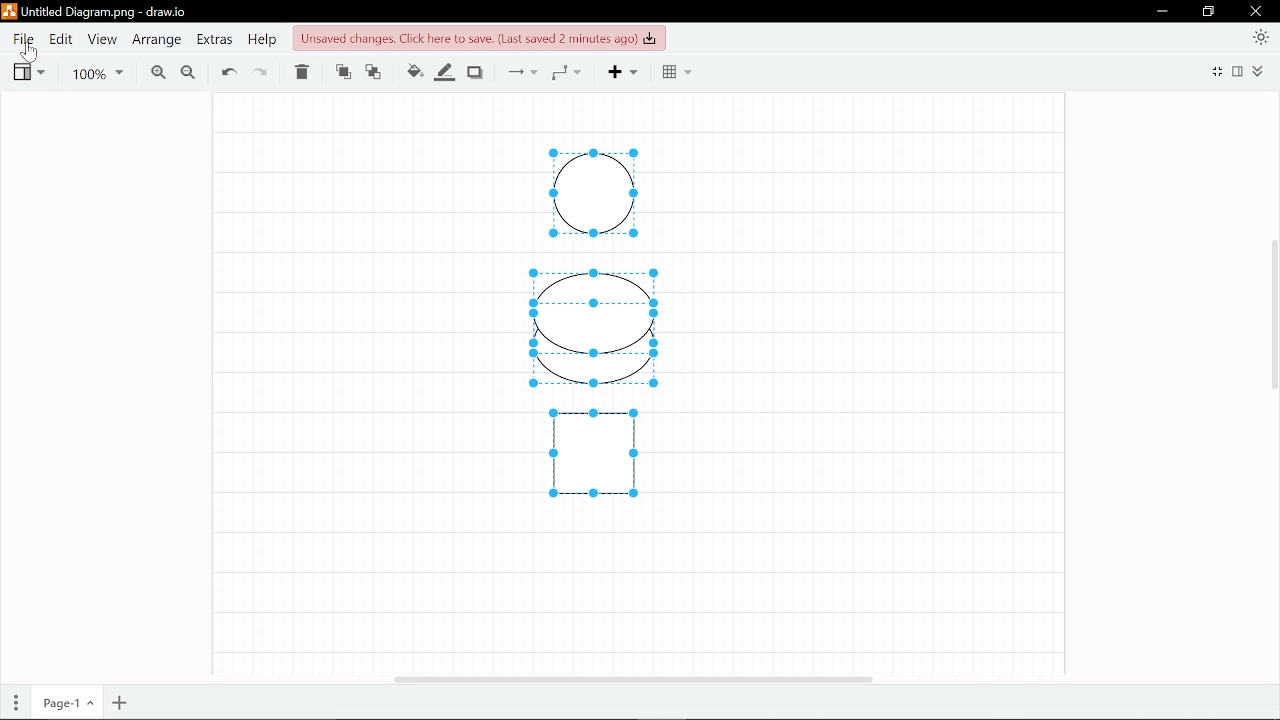 The image size is (1280, 720). I want to click on View, so click(27, 73).